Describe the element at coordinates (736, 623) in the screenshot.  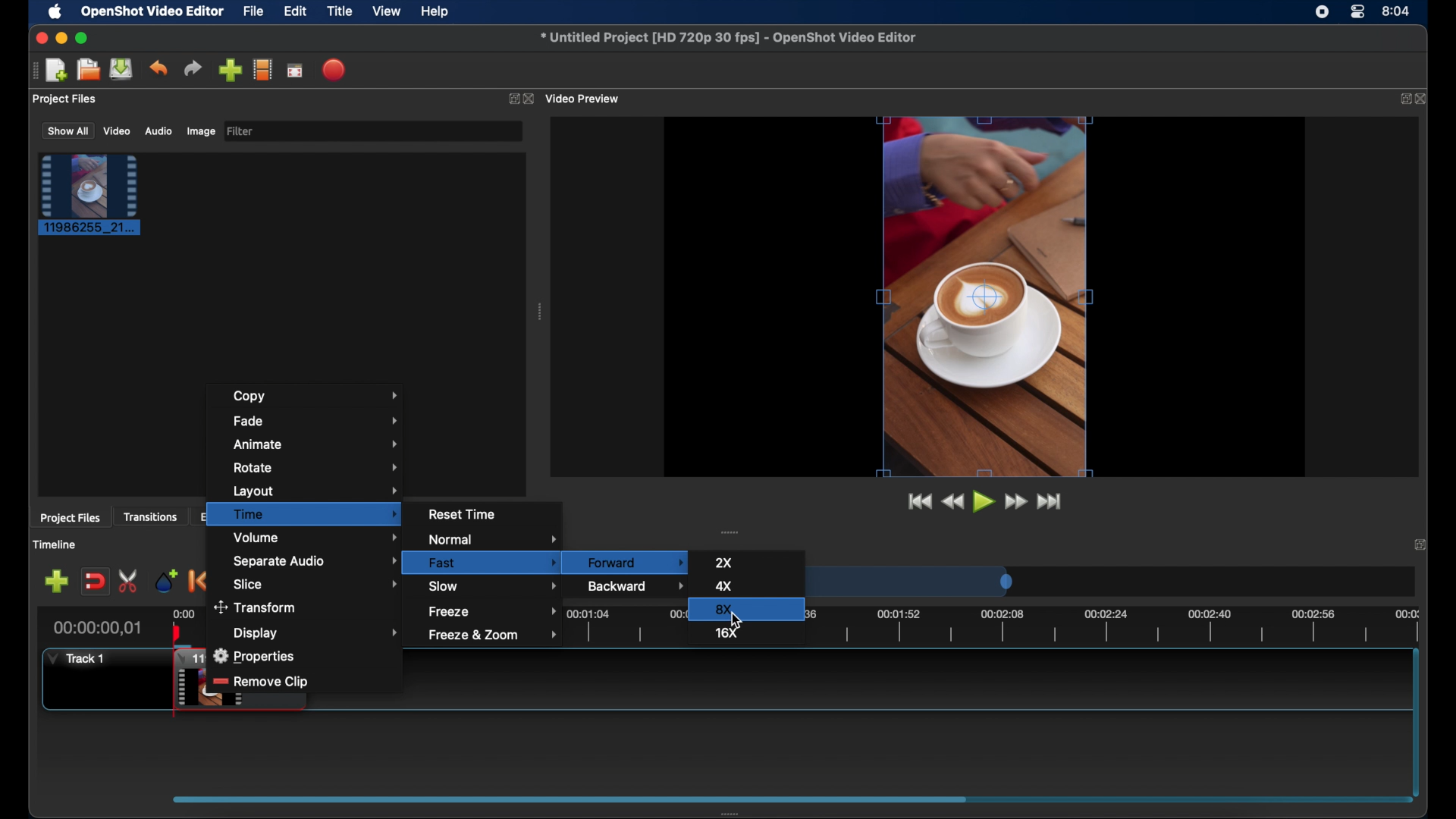
I see `cursor` at that location.